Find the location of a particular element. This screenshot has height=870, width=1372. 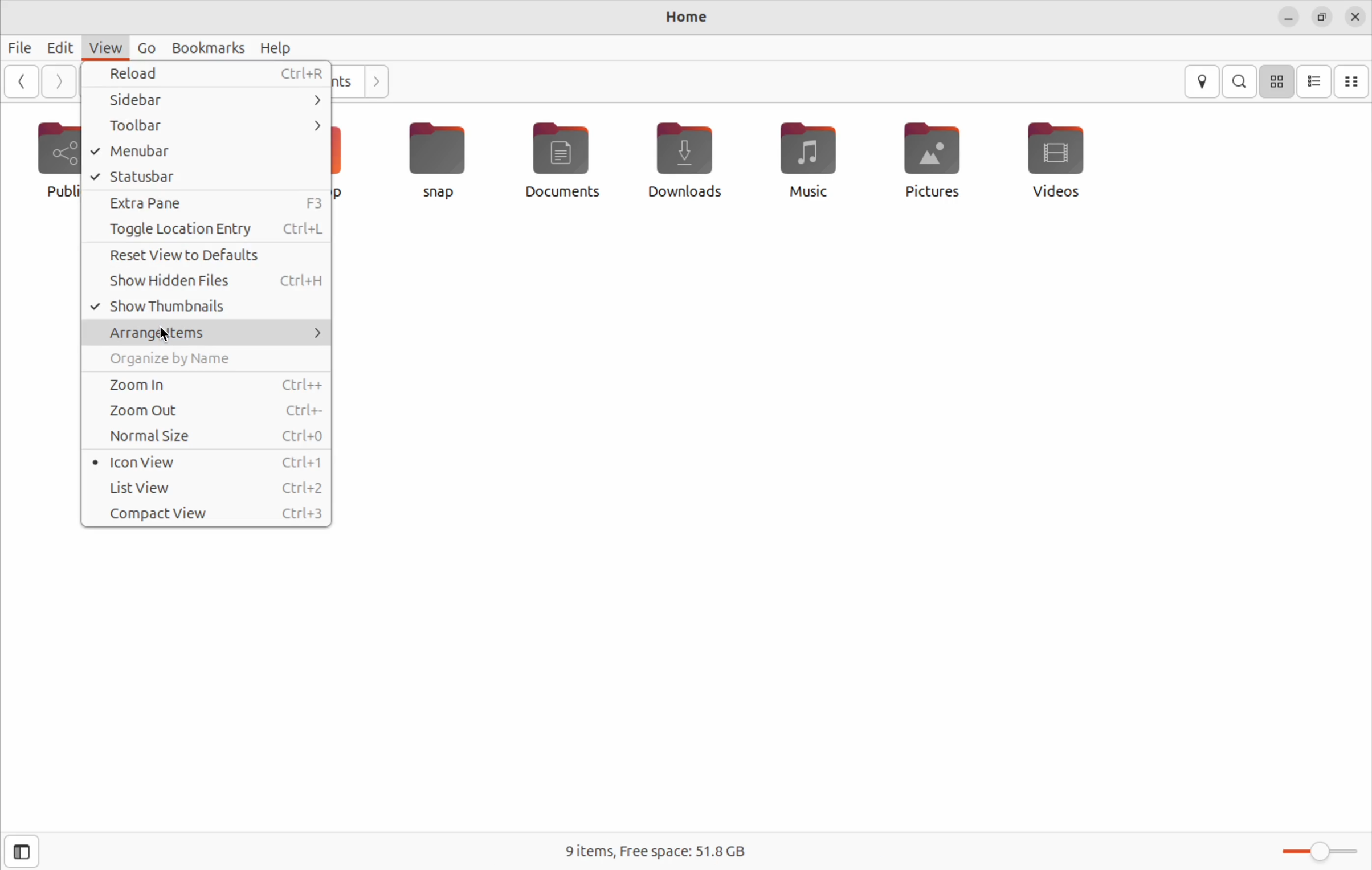

side bar is located at coordinates (19, 852).